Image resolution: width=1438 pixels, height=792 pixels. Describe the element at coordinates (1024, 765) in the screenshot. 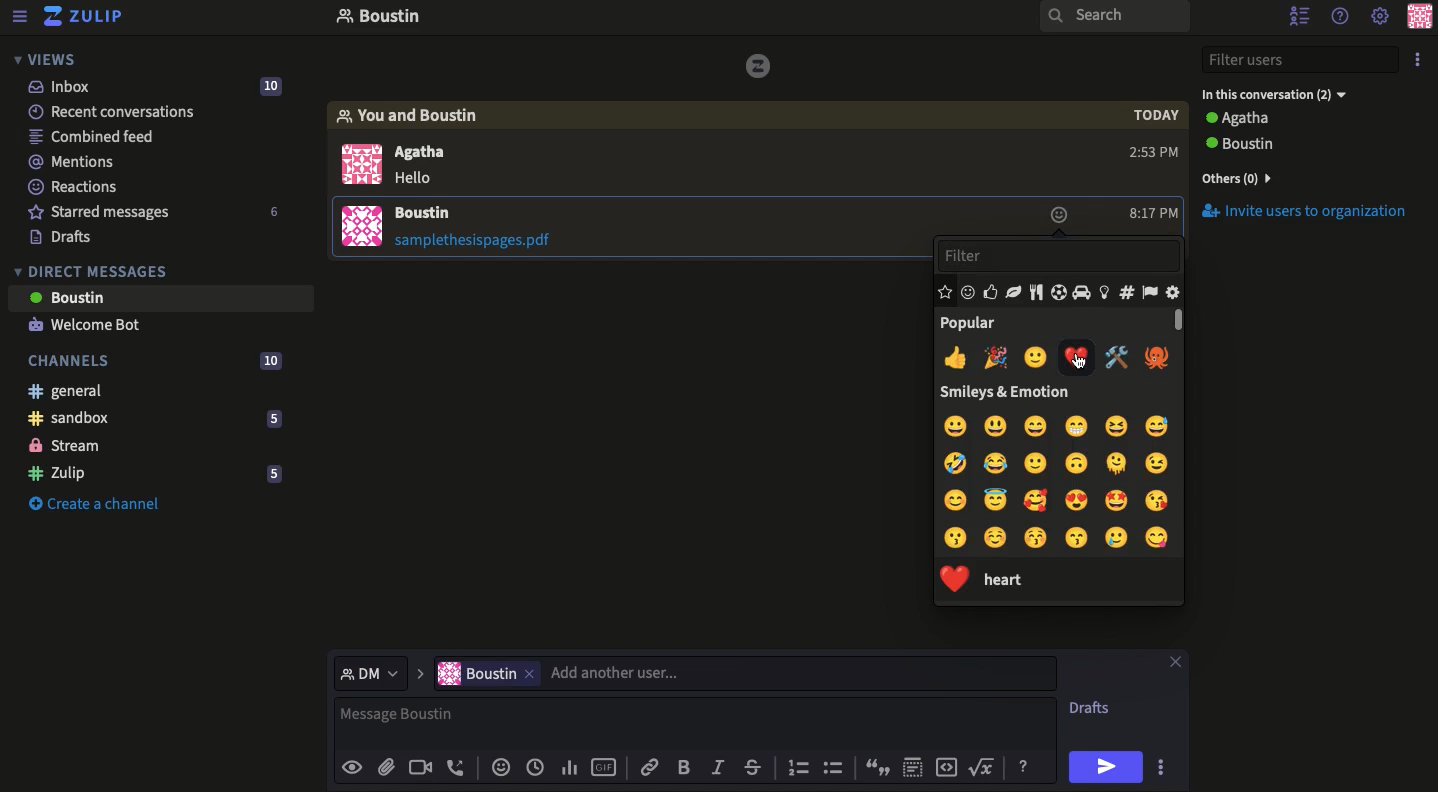

I see `Help` at that location.